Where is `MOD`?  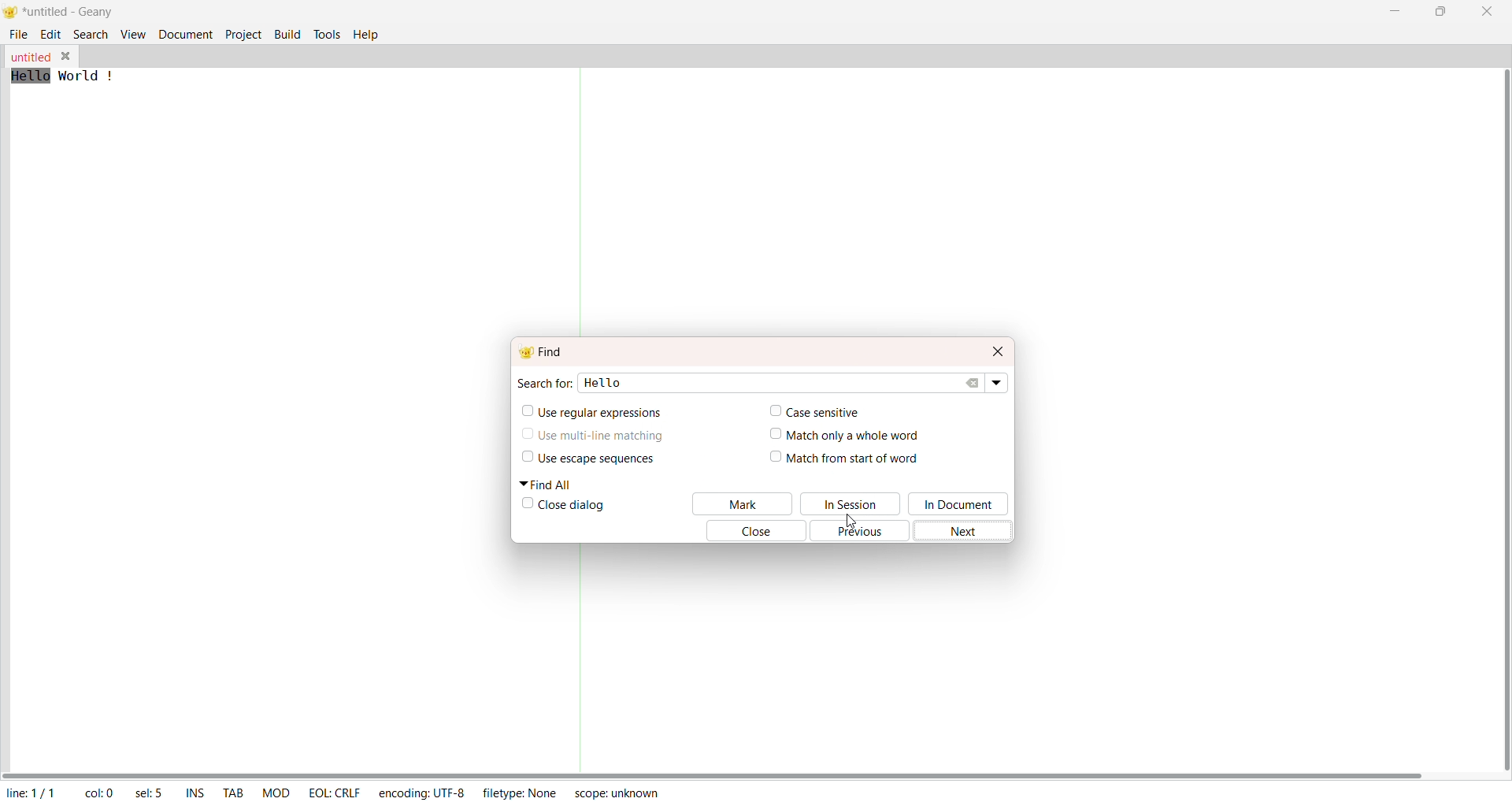 MOD is located at coordinates (276, 791).